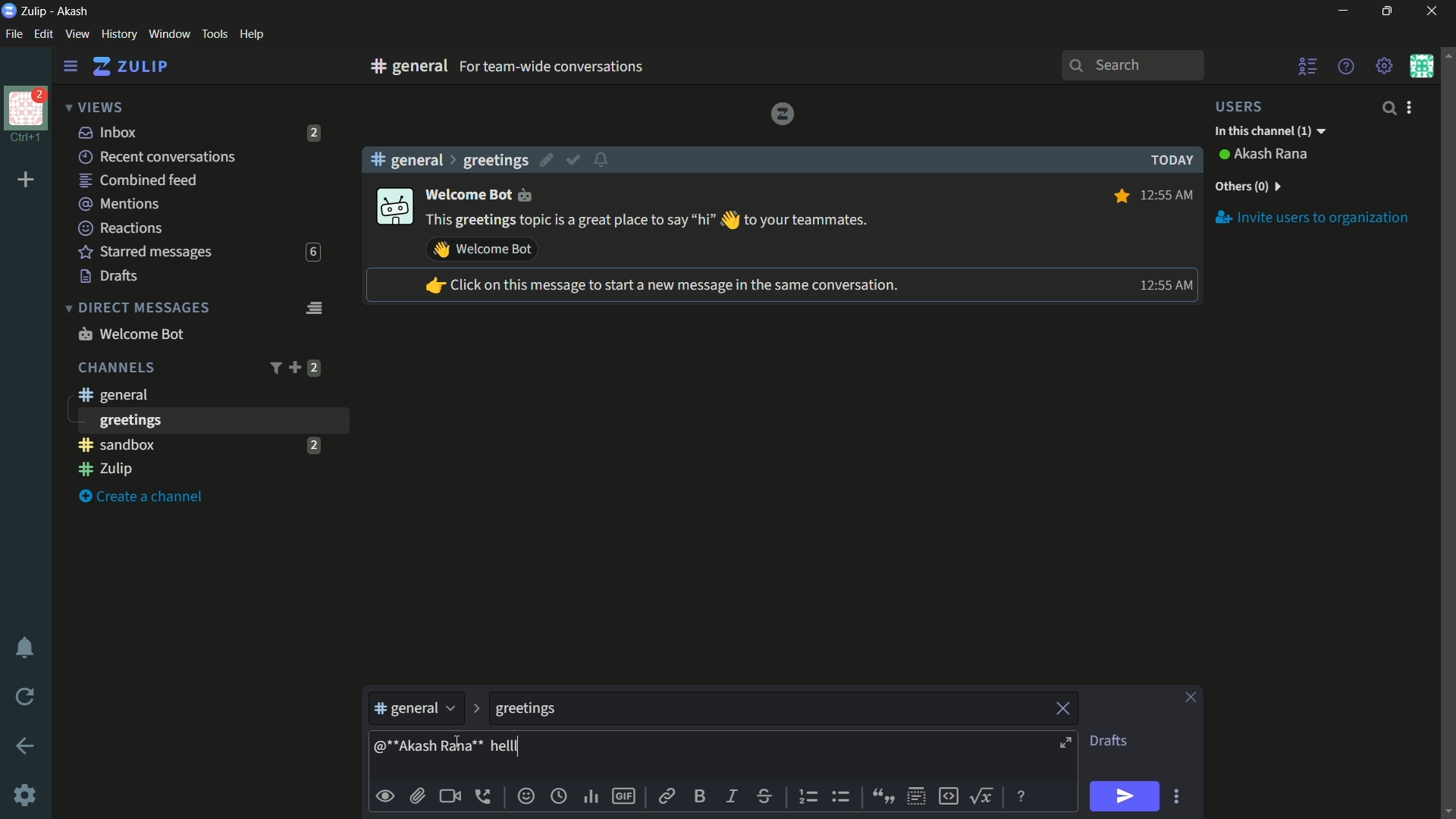 Image resolution: width=1456 pixels, height=819 pixels. What do you see at coordinates (486, 796) in the screenshot?
I see `add voice call` at bounding box center [486, 796].